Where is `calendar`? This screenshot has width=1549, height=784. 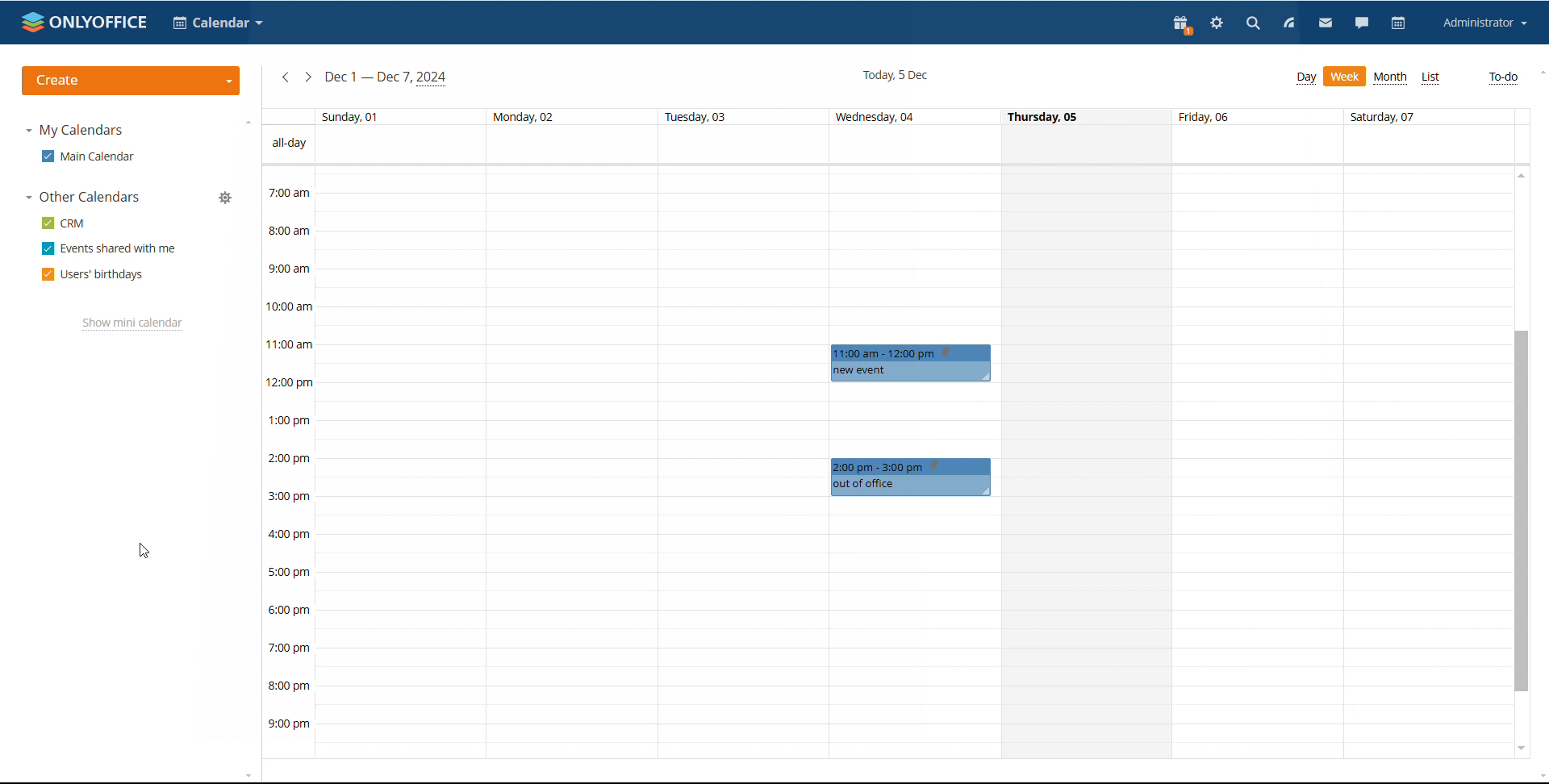 calendar is located at coordinates (1401, 24).